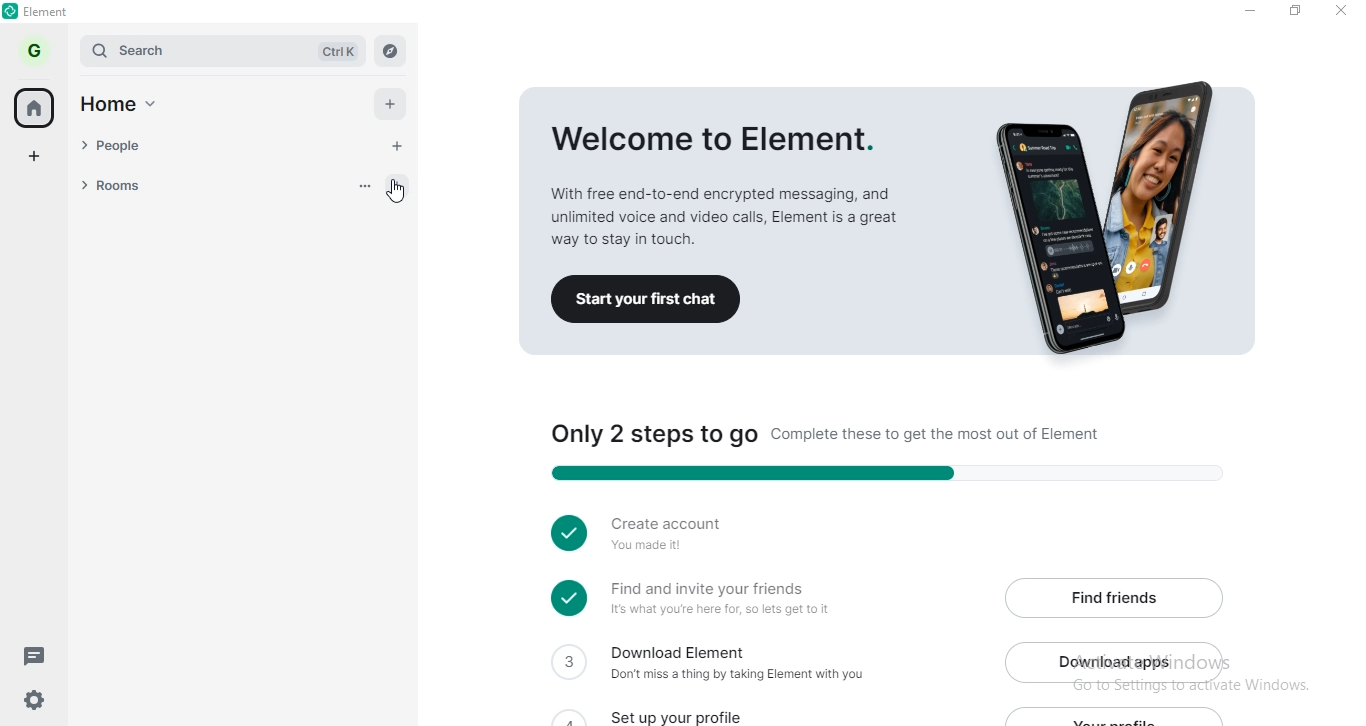 The image size is (1366, 726). Describe the element at coordinates (29, 704) in the screenshot. I see `settings` at that location.